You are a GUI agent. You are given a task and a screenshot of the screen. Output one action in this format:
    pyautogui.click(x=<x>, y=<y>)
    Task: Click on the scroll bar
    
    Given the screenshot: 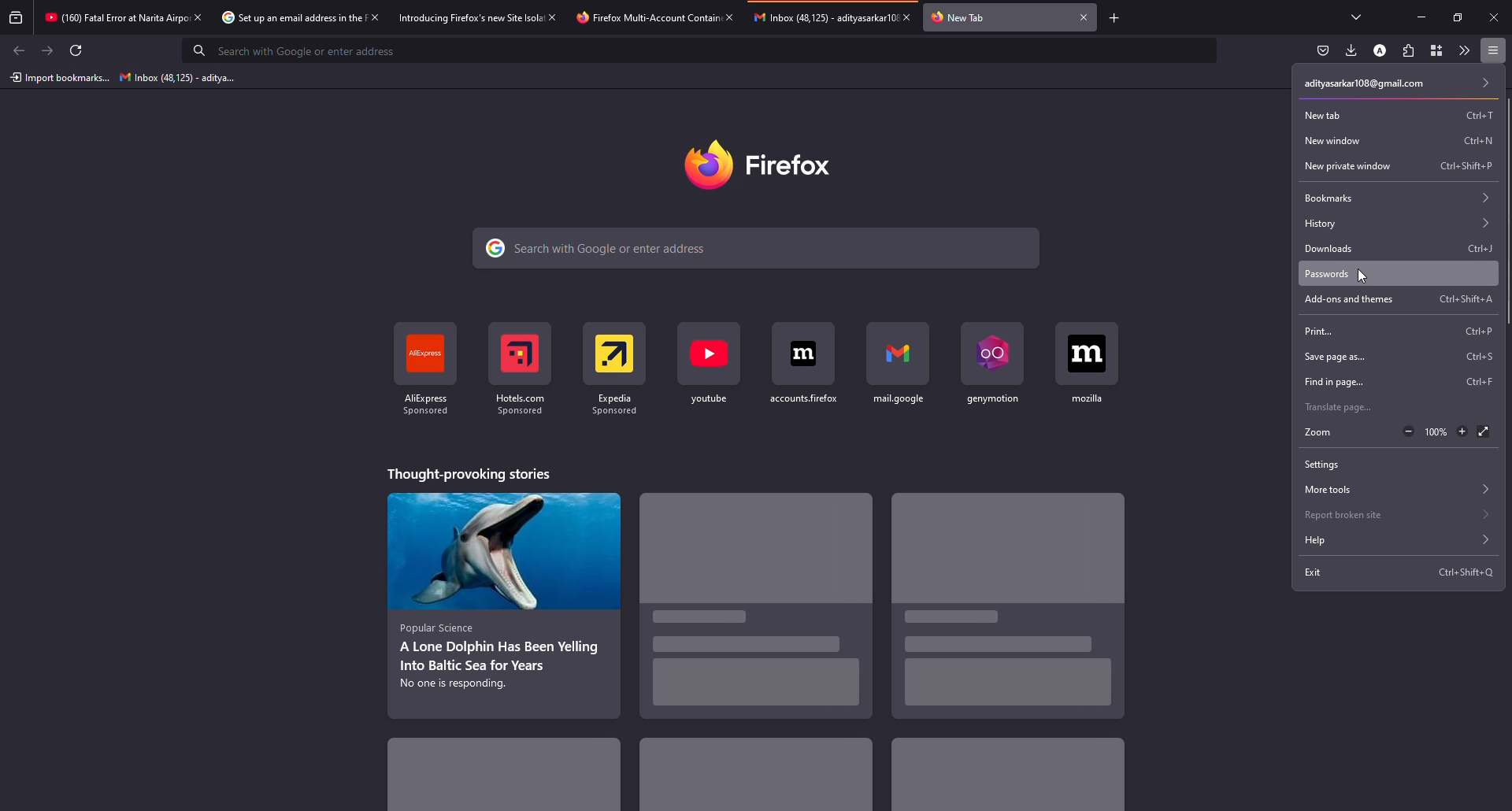 What is the action you would take?
    pyautogui.click(x=1505, y=215)
    